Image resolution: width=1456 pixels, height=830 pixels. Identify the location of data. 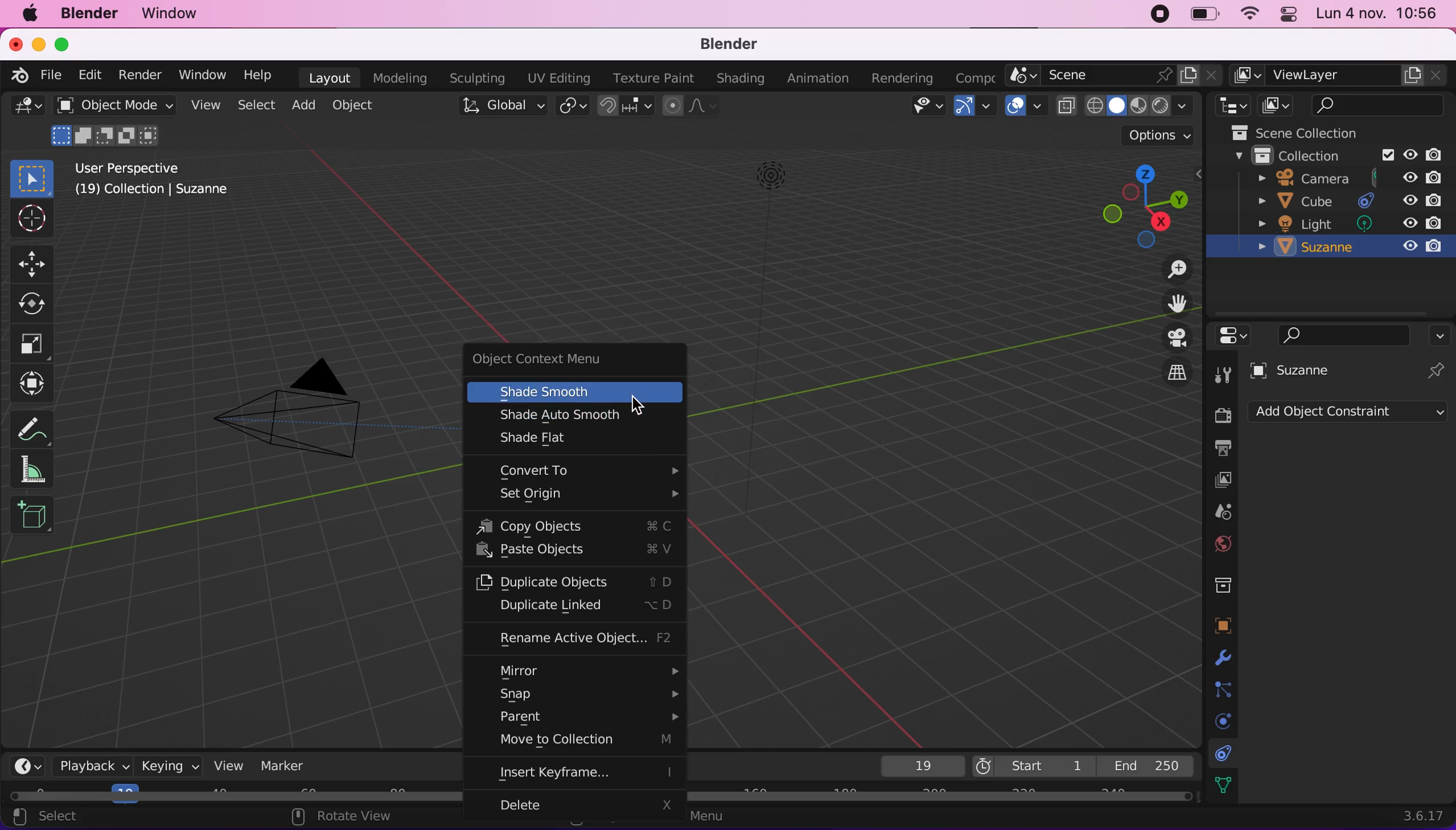
(1223, 783).